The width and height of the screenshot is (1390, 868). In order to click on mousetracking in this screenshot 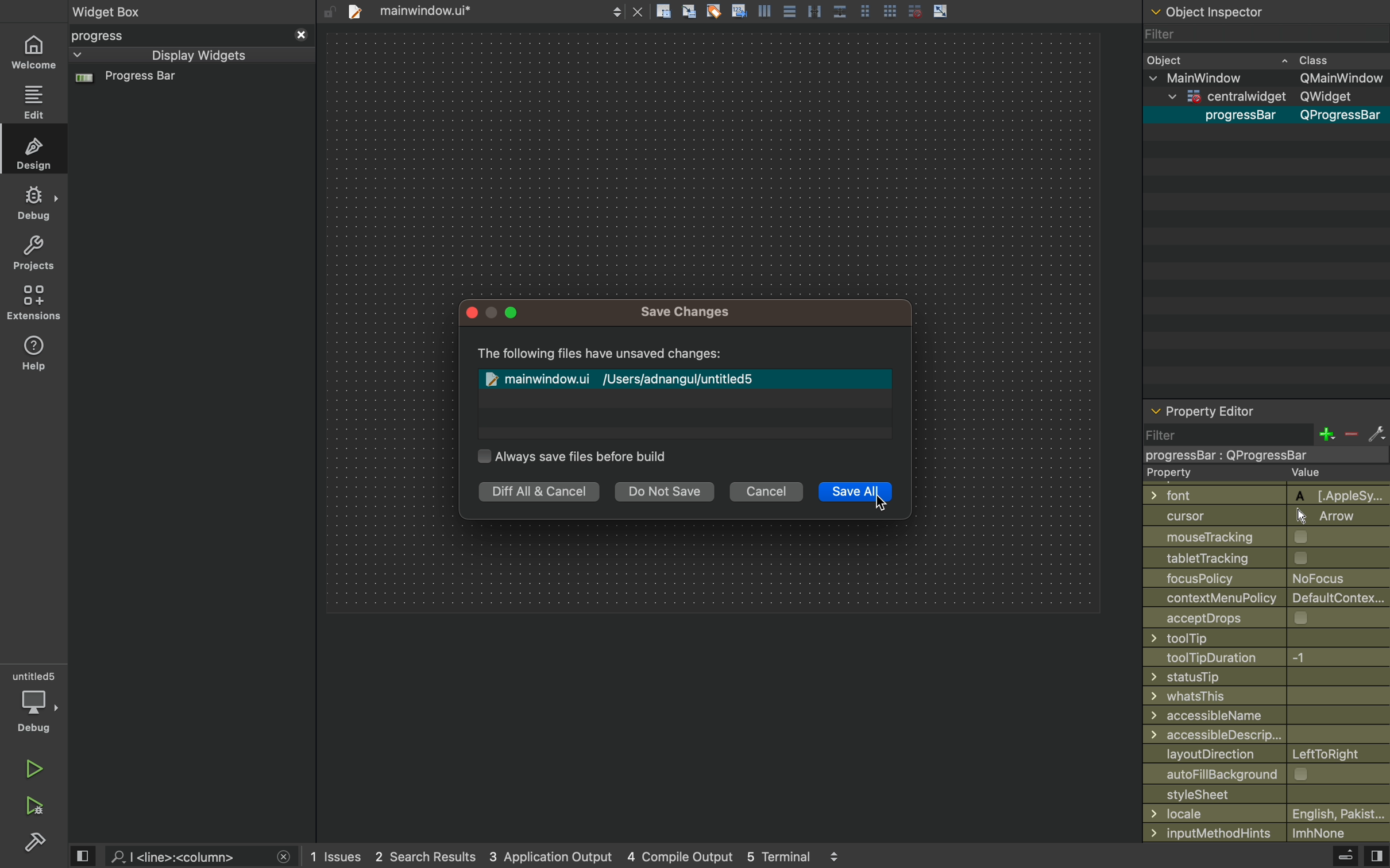, I will do `click(1262, 537)`.